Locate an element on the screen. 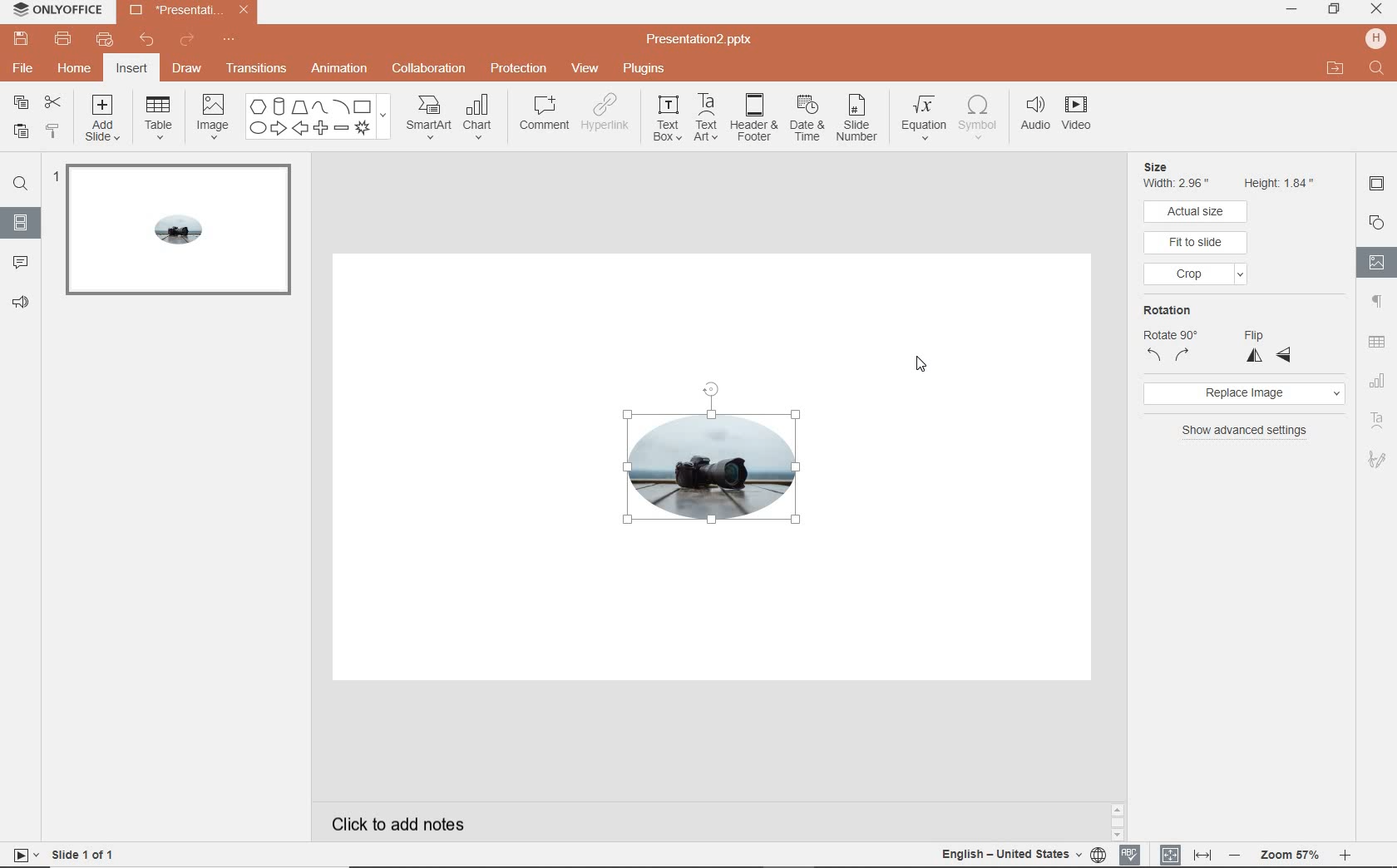 The width and height of the screenshot is (1397, 868). zoom is located at coordinates (1289, 853).